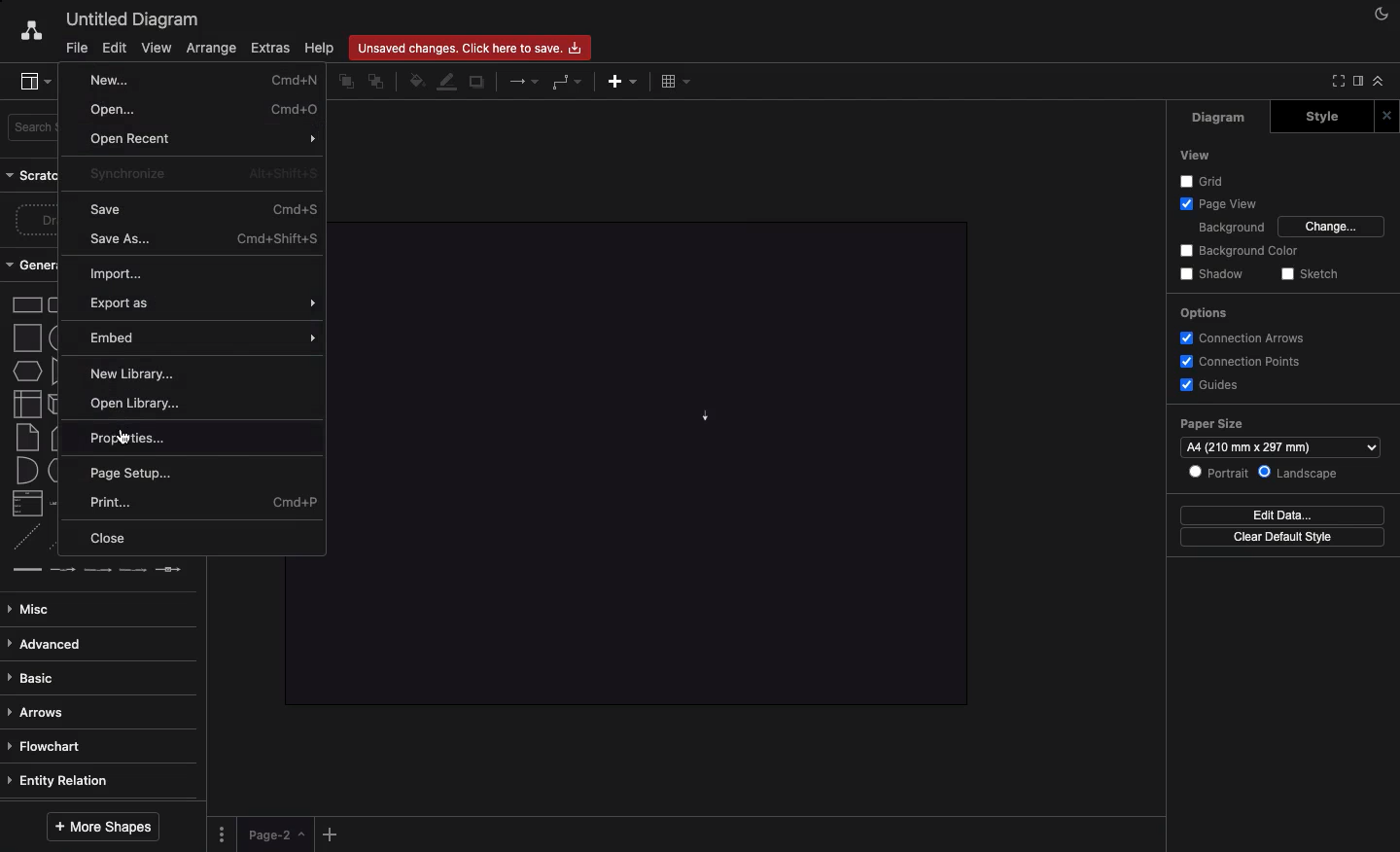  Describe the element at coordinates (322, 48) in the screenshot. I see `Help` at that location.